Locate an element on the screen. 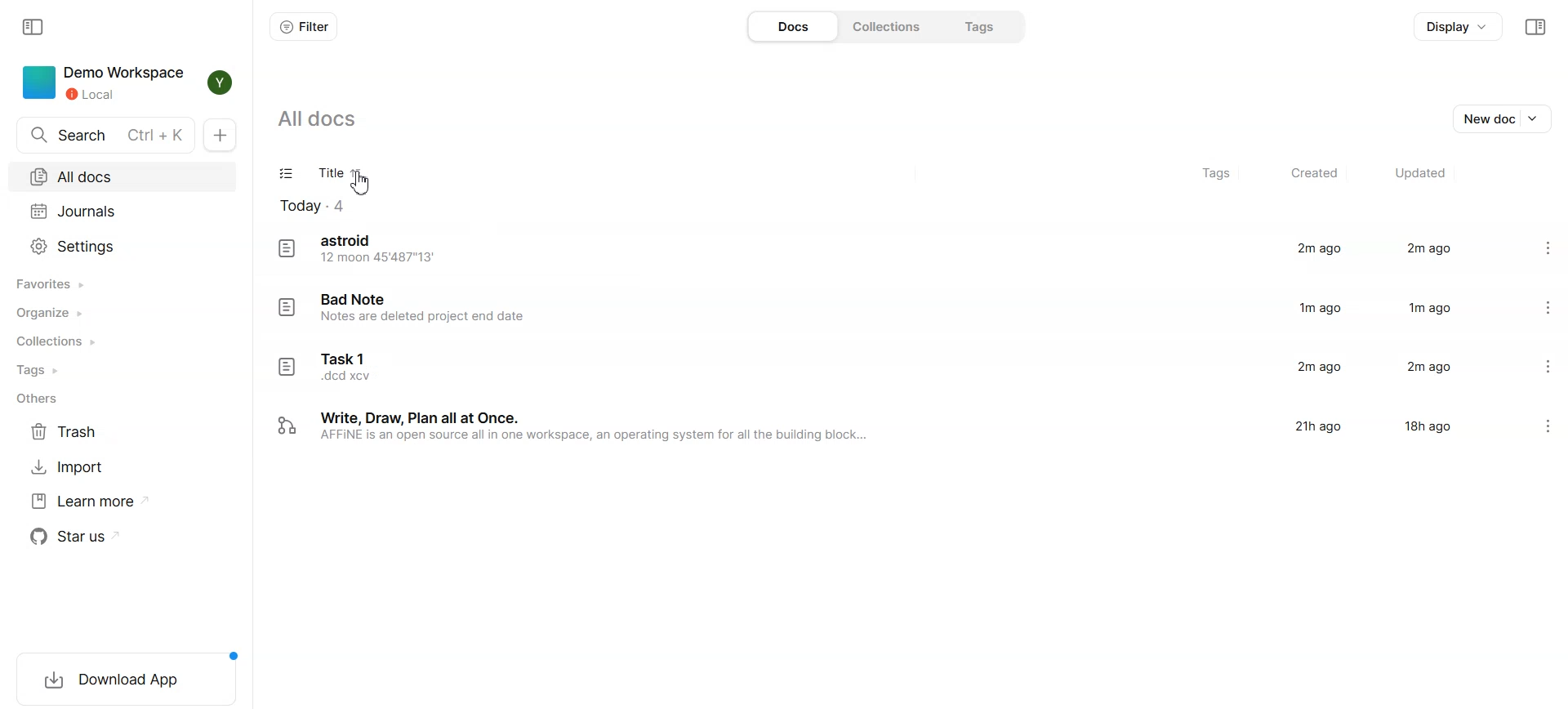  Demo workspace is located at coordinates (105, 83).